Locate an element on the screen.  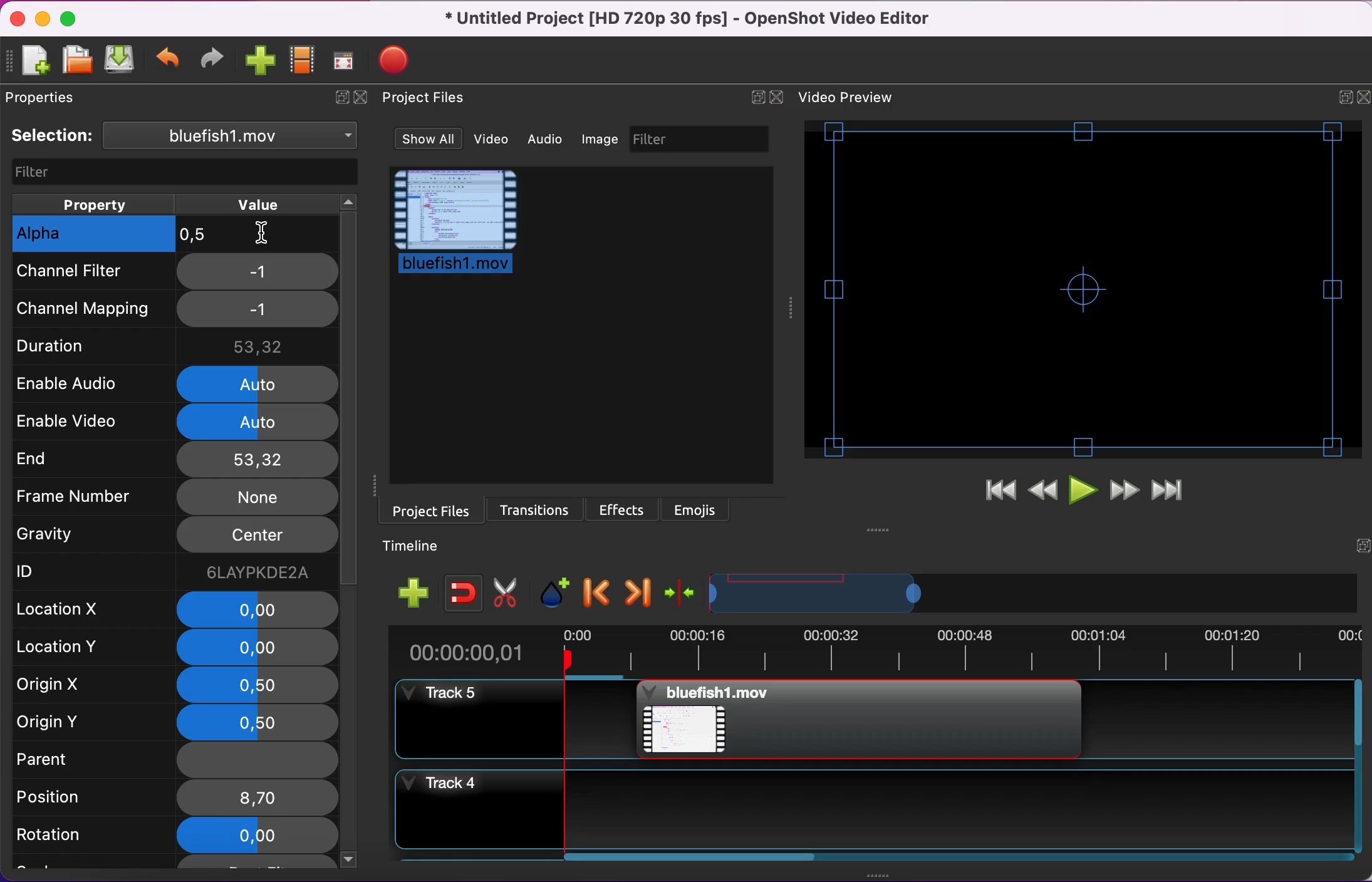
add marker is located at coordinates (558, 593).